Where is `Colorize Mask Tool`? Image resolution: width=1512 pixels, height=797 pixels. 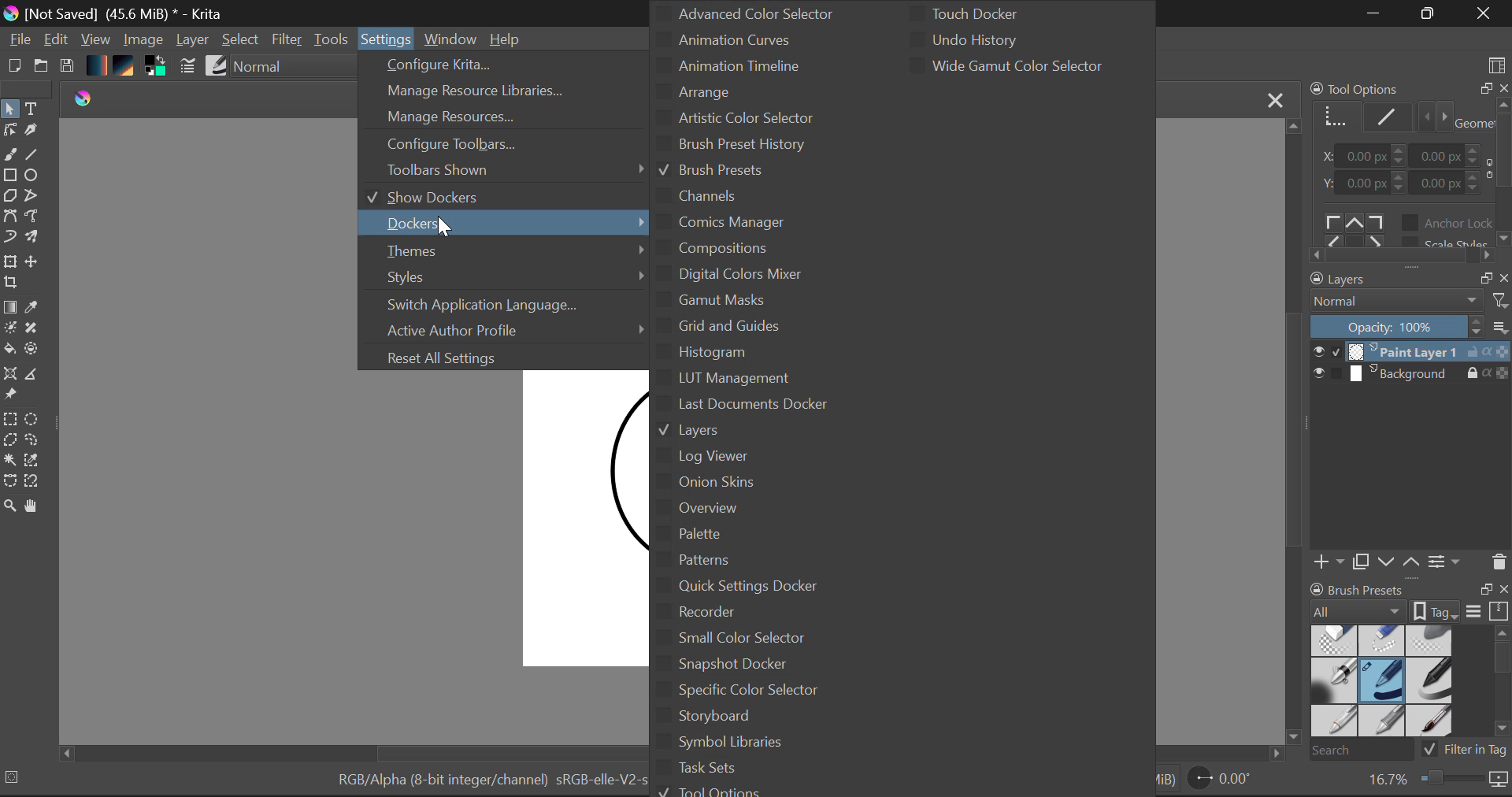
Colorize Mask Tool is located at coordinates (10, 328).